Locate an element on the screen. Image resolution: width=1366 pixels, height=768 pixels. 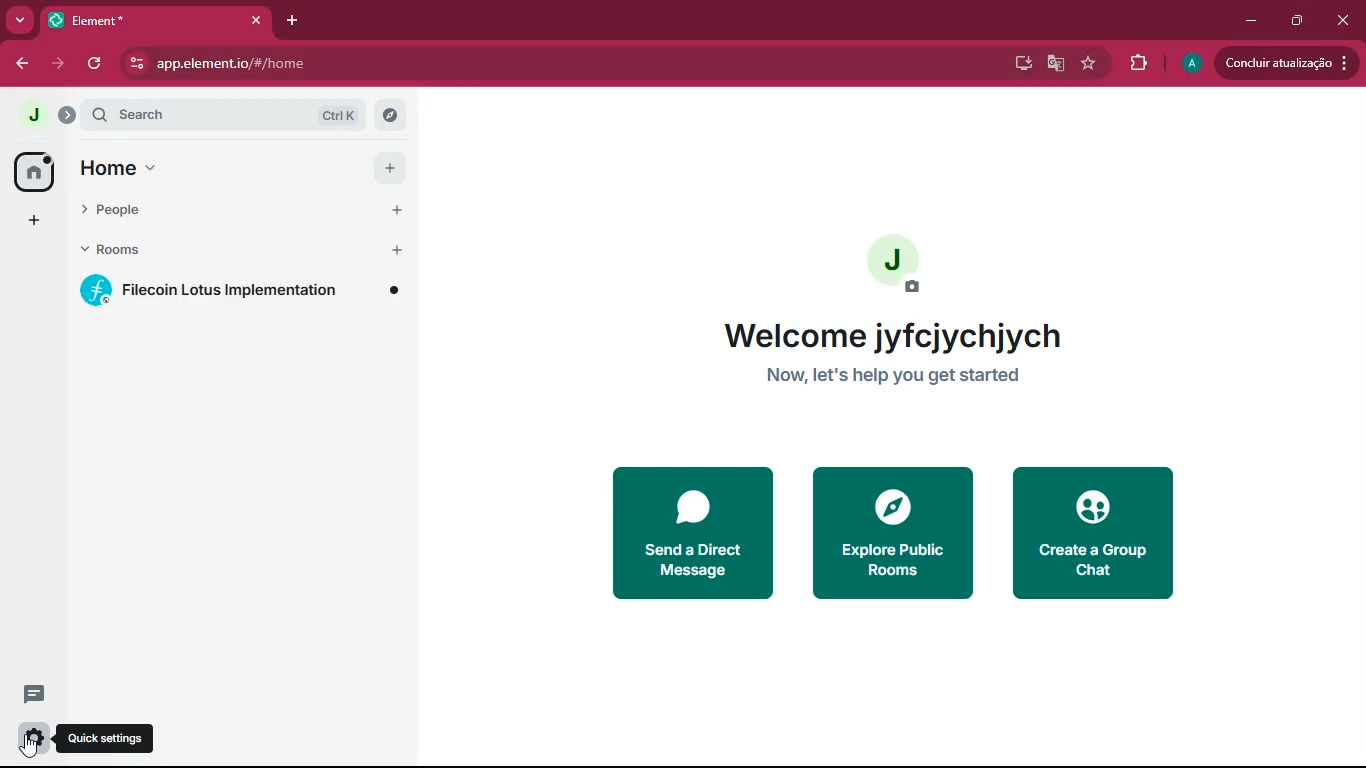
now, let's help you get started is located at coordinates (894, 376).